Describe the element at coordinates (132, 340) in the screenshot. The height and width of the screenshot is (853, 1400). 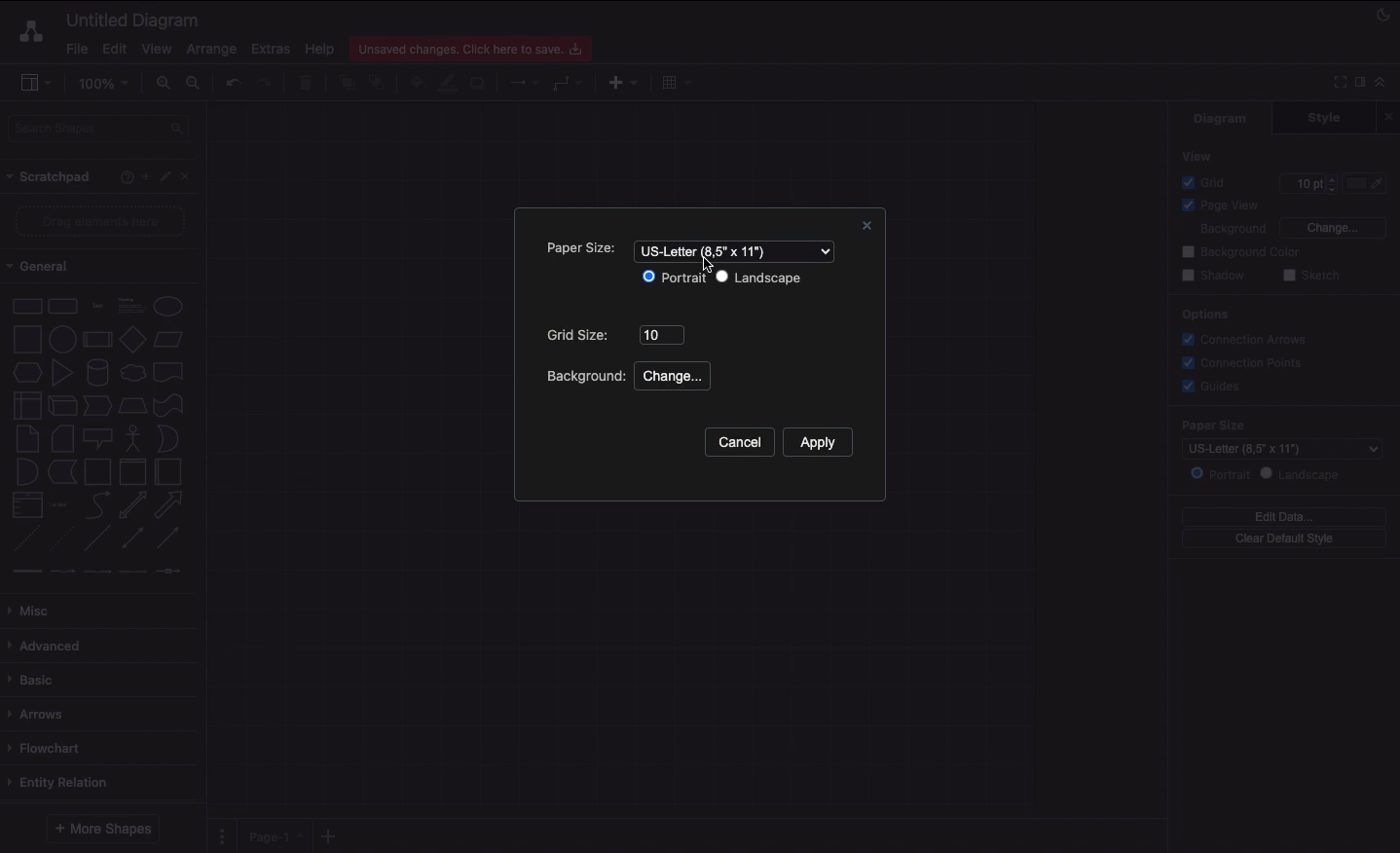
I see `Diamond` at that location.